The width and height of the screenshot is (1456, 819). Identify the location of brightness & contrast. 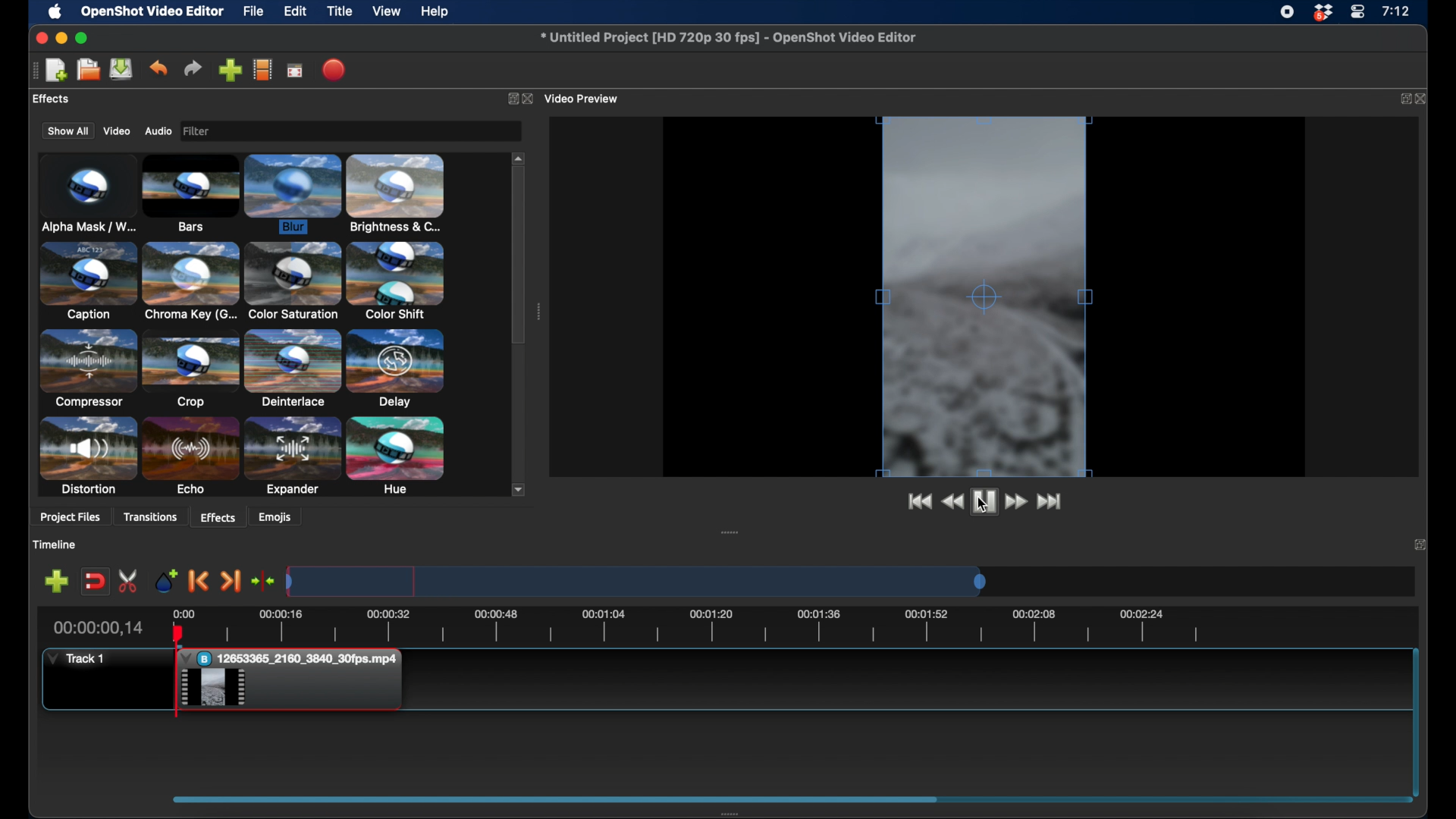
(396, 193).